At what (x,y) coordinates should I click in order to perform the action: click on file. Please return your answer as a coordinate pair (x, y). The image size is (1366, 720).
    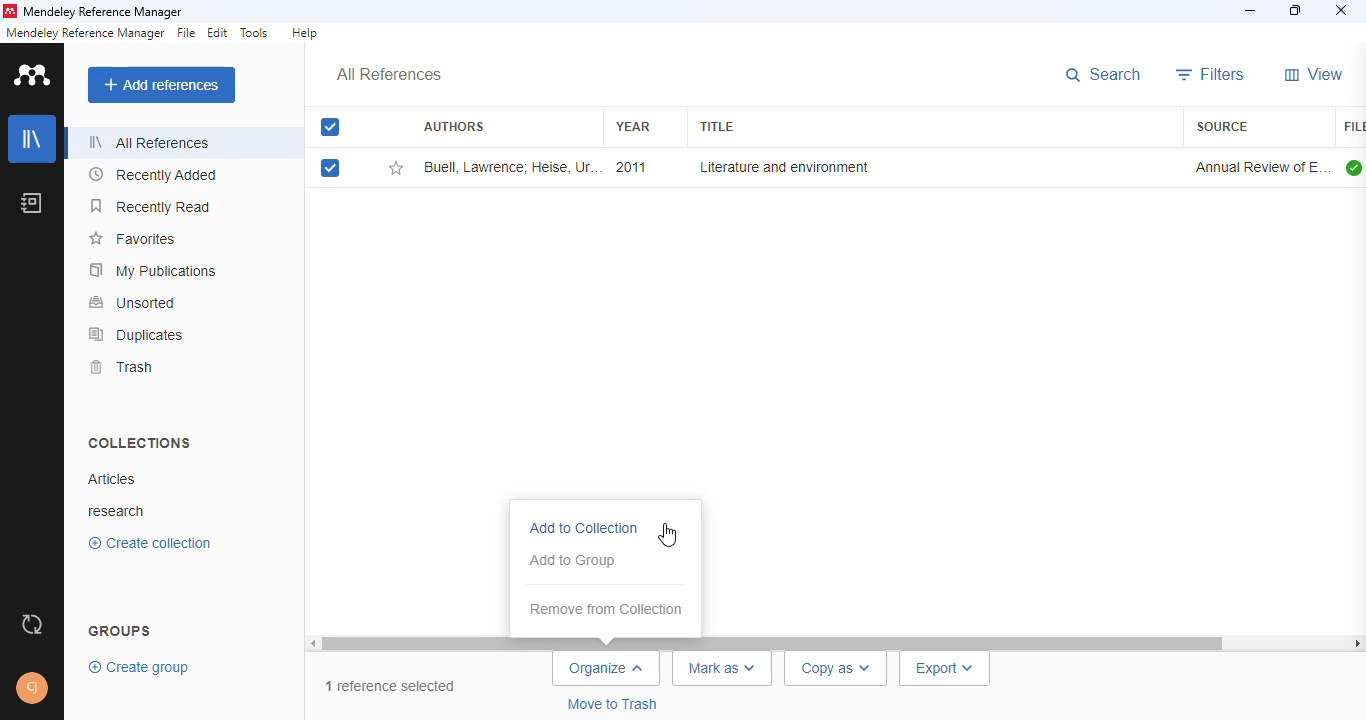
    Looking at the image, I should click on (185, 33).